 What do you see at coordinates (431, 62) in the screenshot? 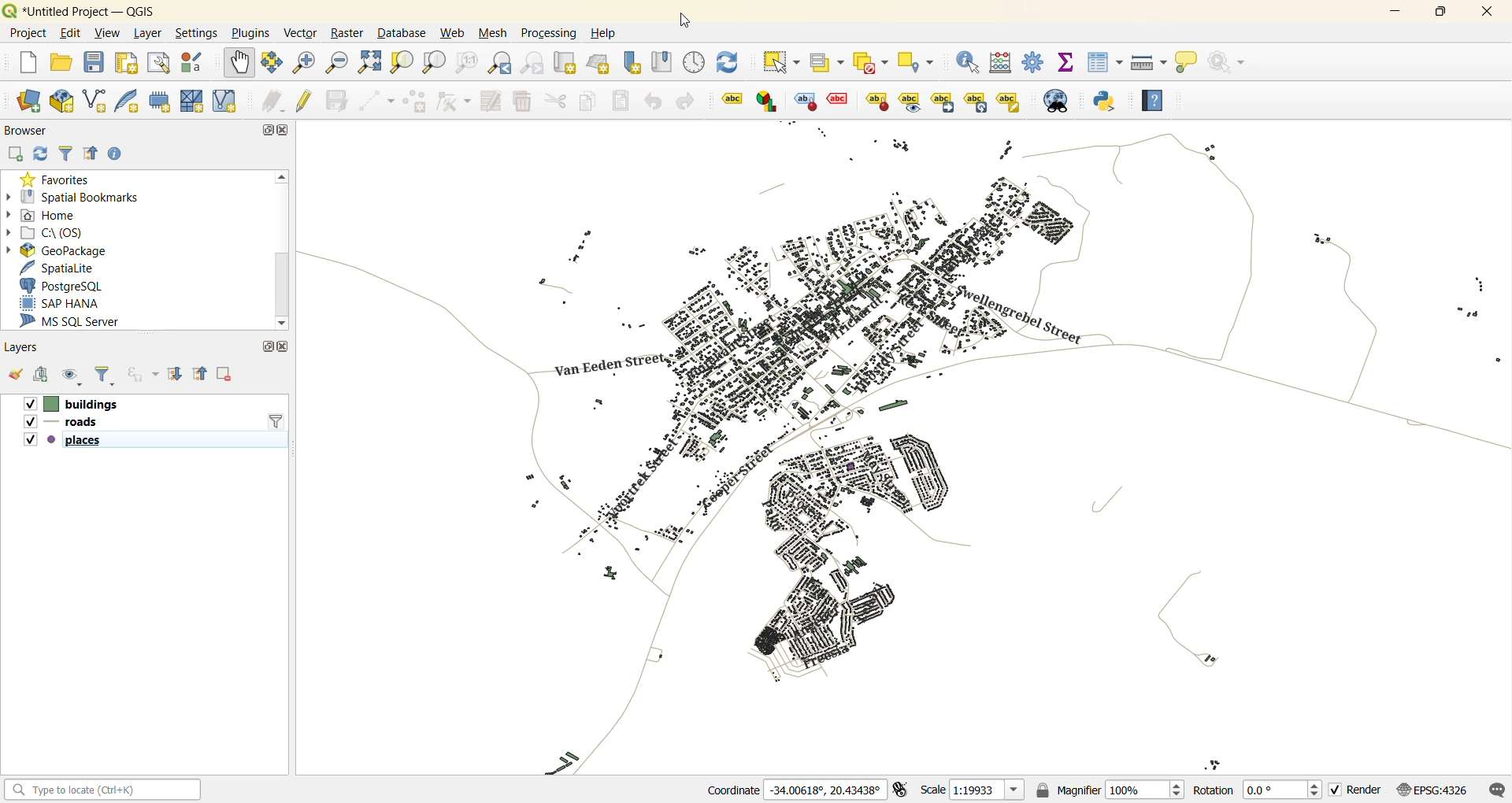
I see `zoom layer` at bounding box center [431, 62].